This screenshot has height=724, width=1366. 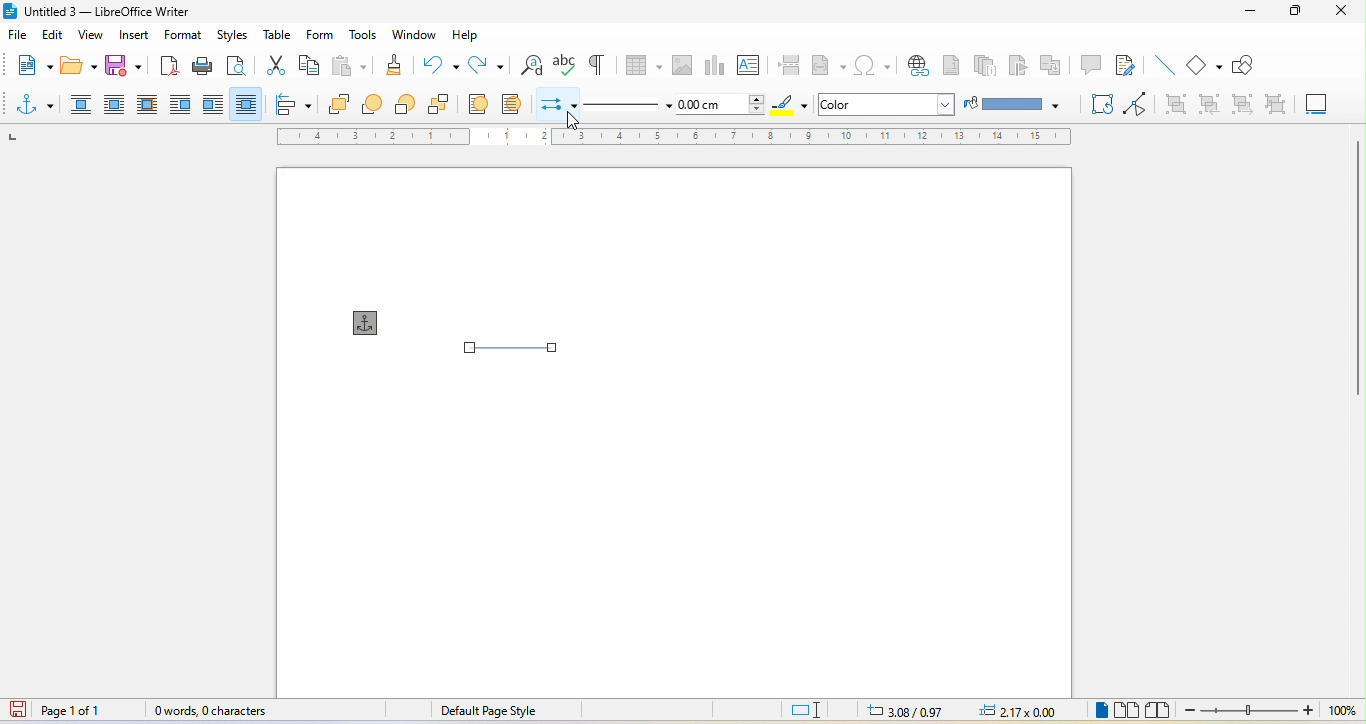 What do you see at coordinates (126, 66) in the screenshot?
I see `save` at bounding box center [126, 66].